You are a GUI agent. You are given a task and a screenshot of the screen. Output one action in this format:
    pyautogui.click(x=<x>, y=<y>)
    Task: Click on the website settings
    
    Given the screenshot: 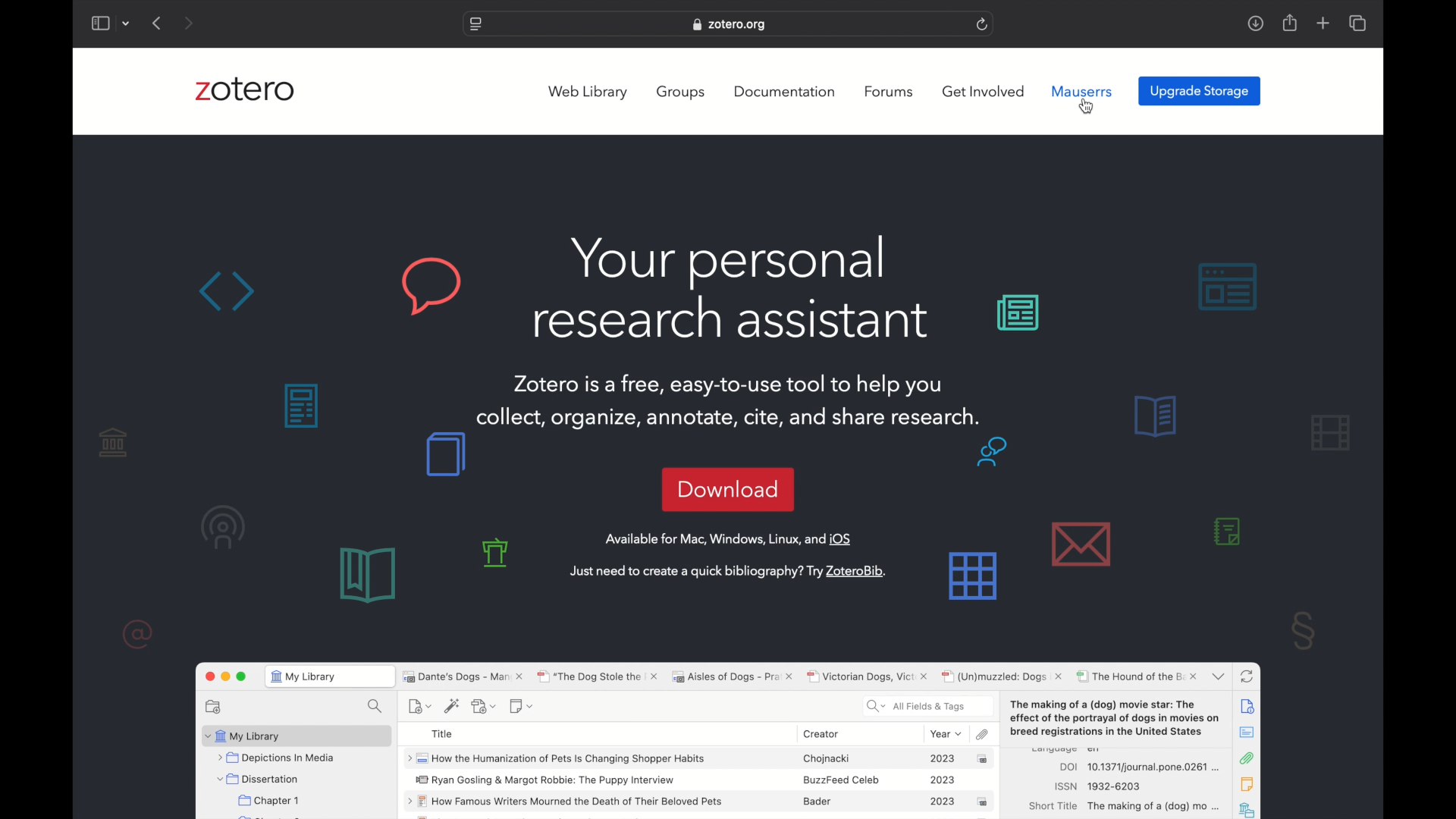 What is the action you would take?
    pyautogui.click(x=475, y=25)
    